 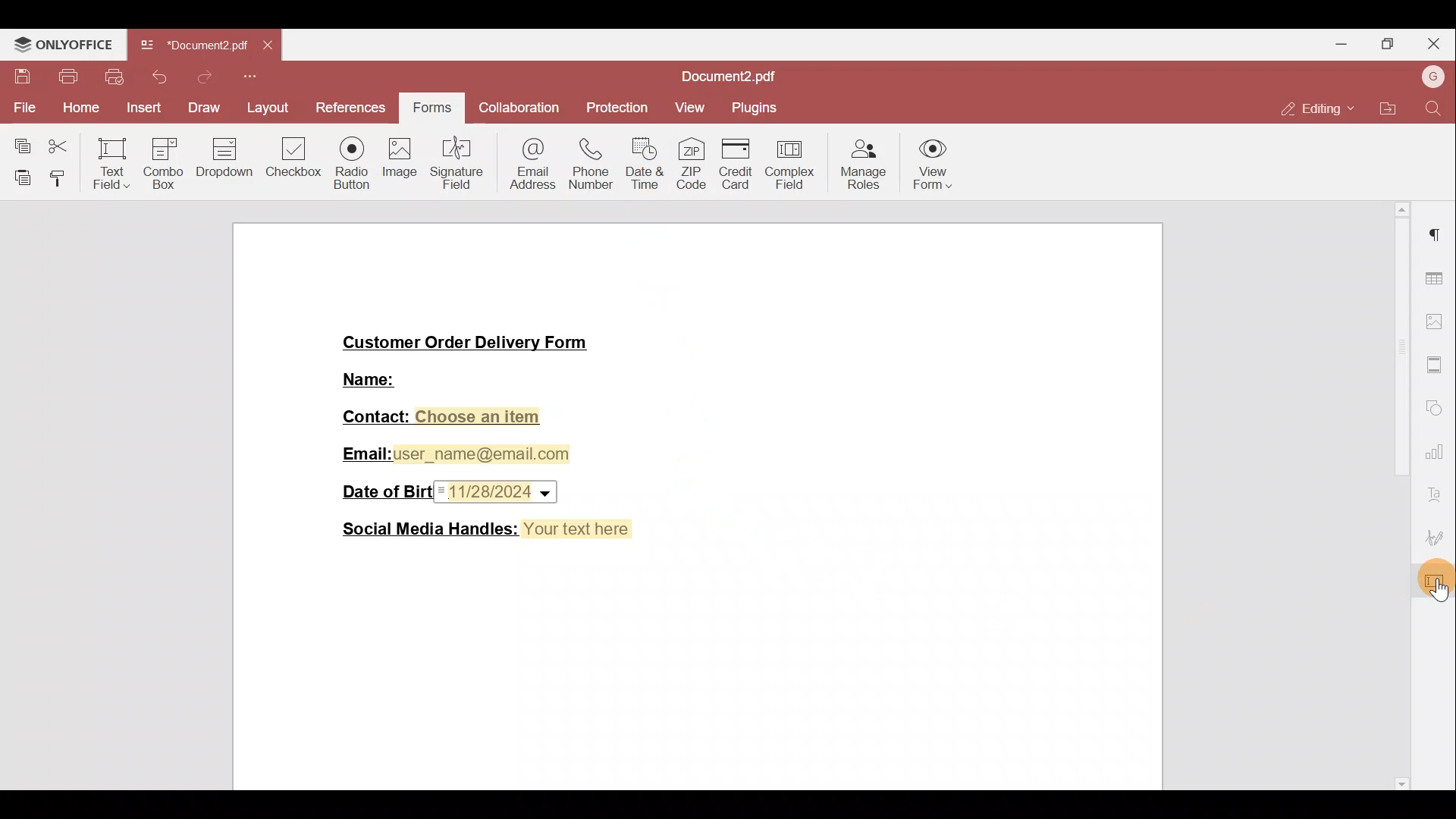 I want to click on Name:, so click(x=371, y=378).